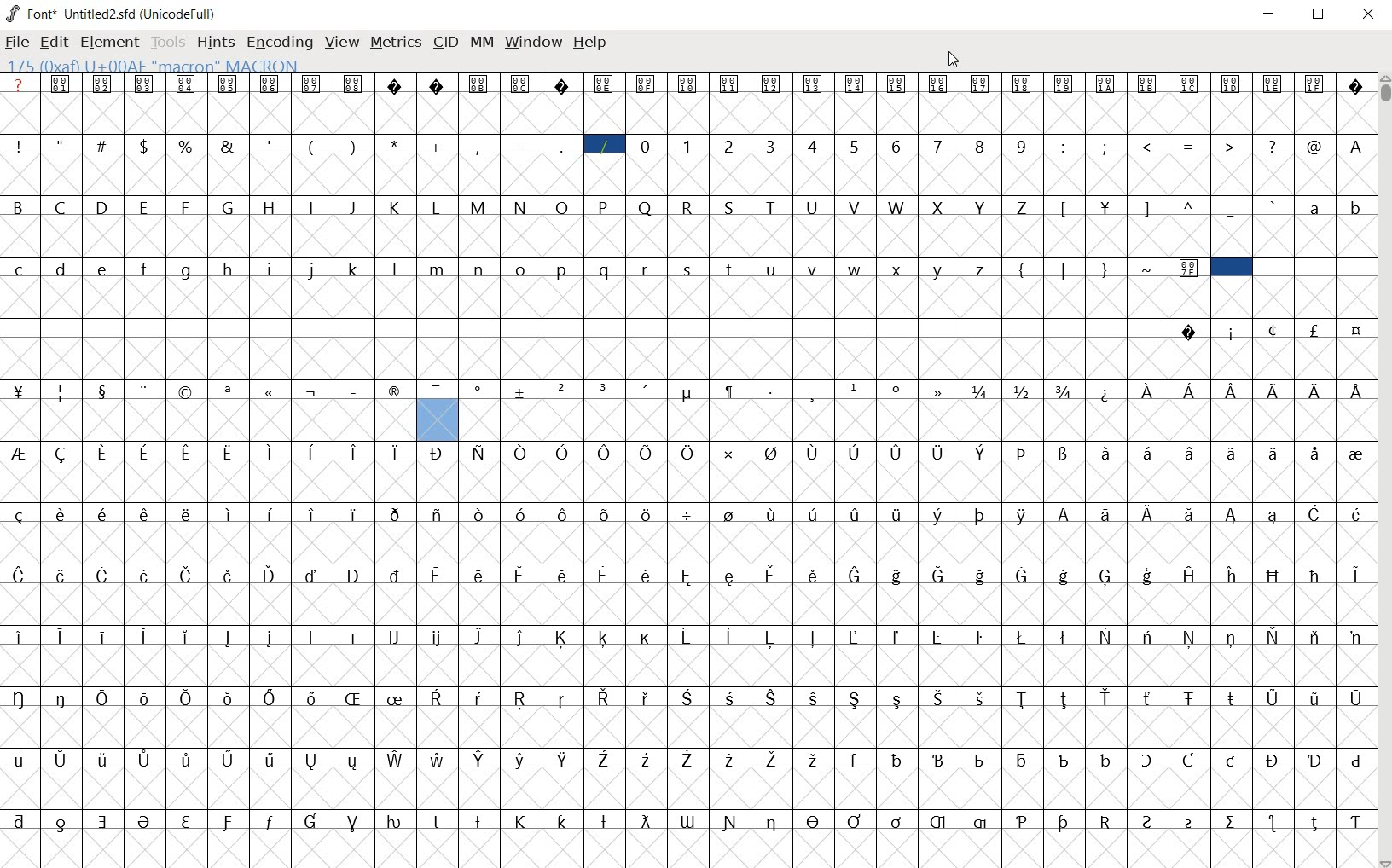 The width and height of the screenshot is (1392, 868). Describe the element at coordinates (1147, 575) in the screenshot. I see `Symbol` at that location.